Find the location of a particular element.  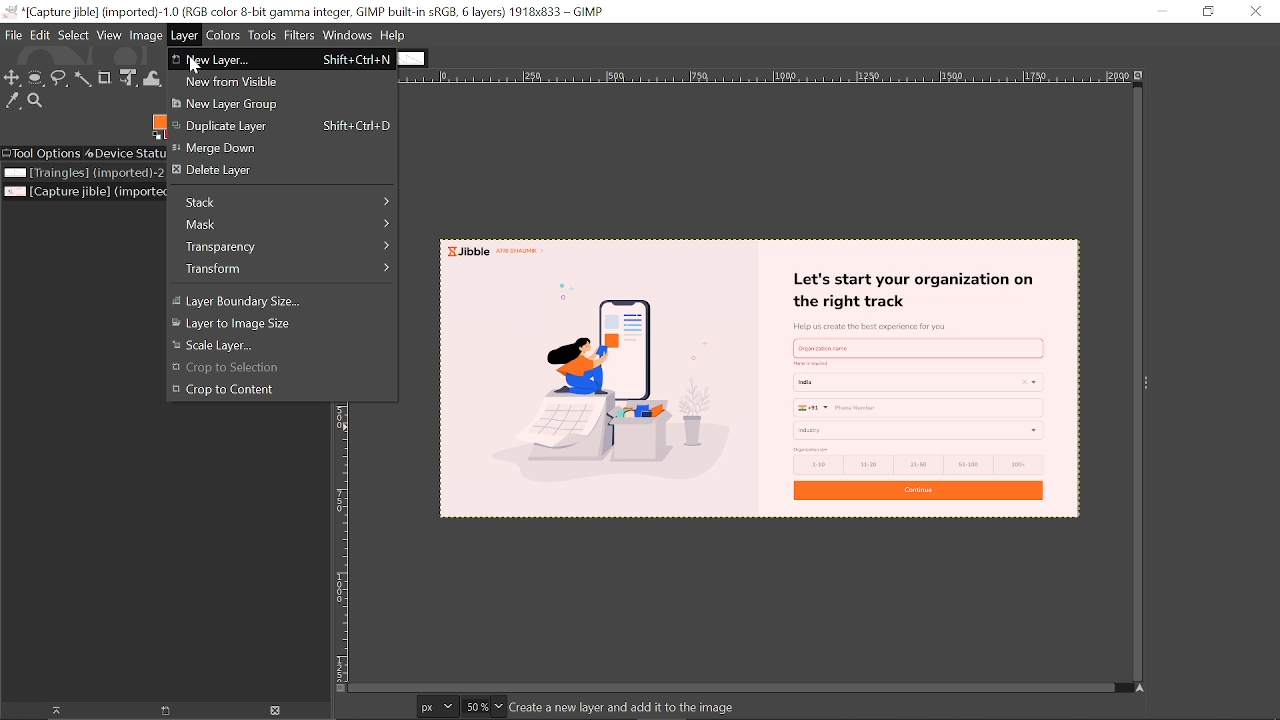

Filters is located at coordinates (300, 35).